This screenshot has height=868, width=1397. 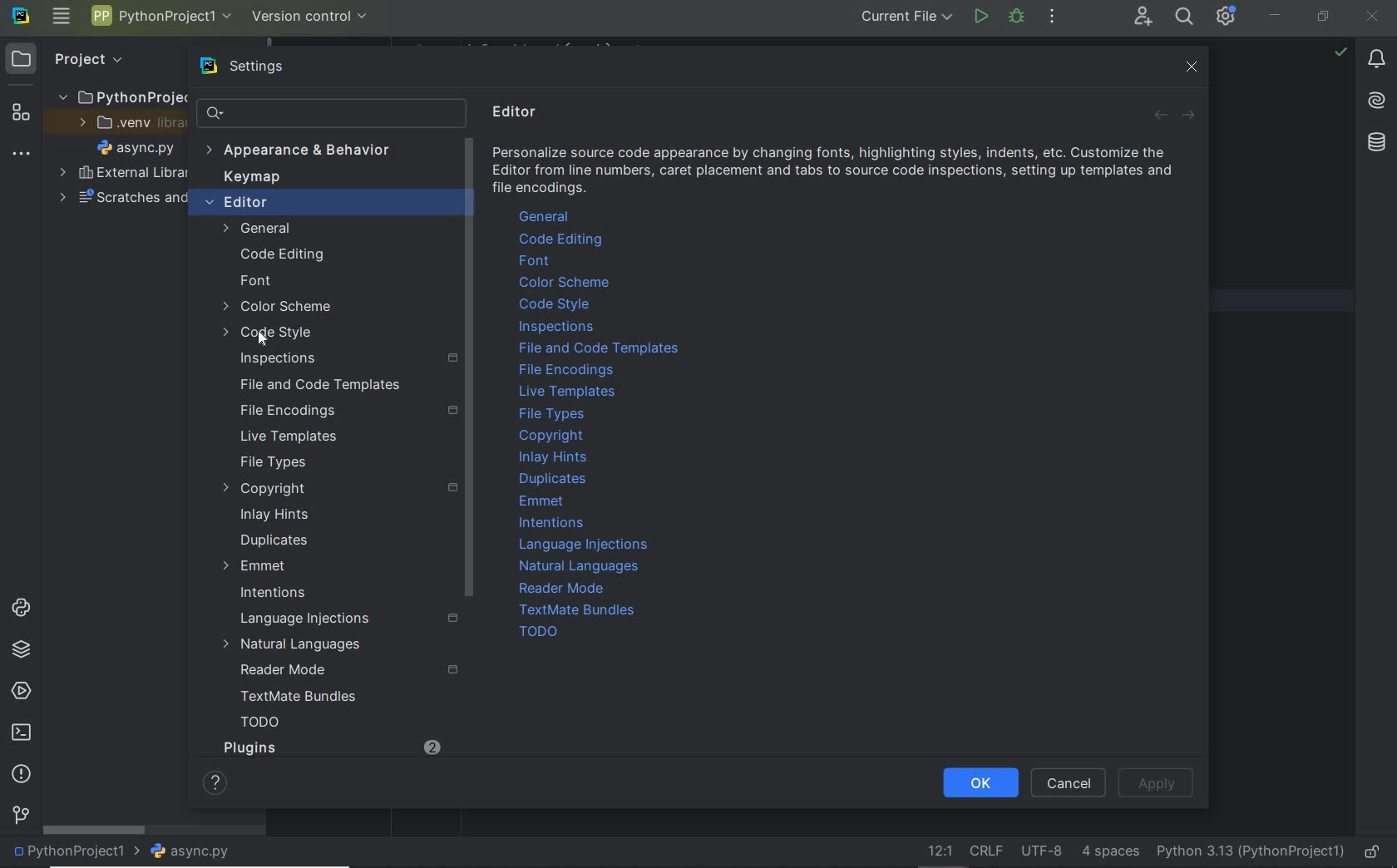 What do you see at coordinates (22, 155) in the screenshot?
I see `more tool windows` at bounding box center [22, 155].